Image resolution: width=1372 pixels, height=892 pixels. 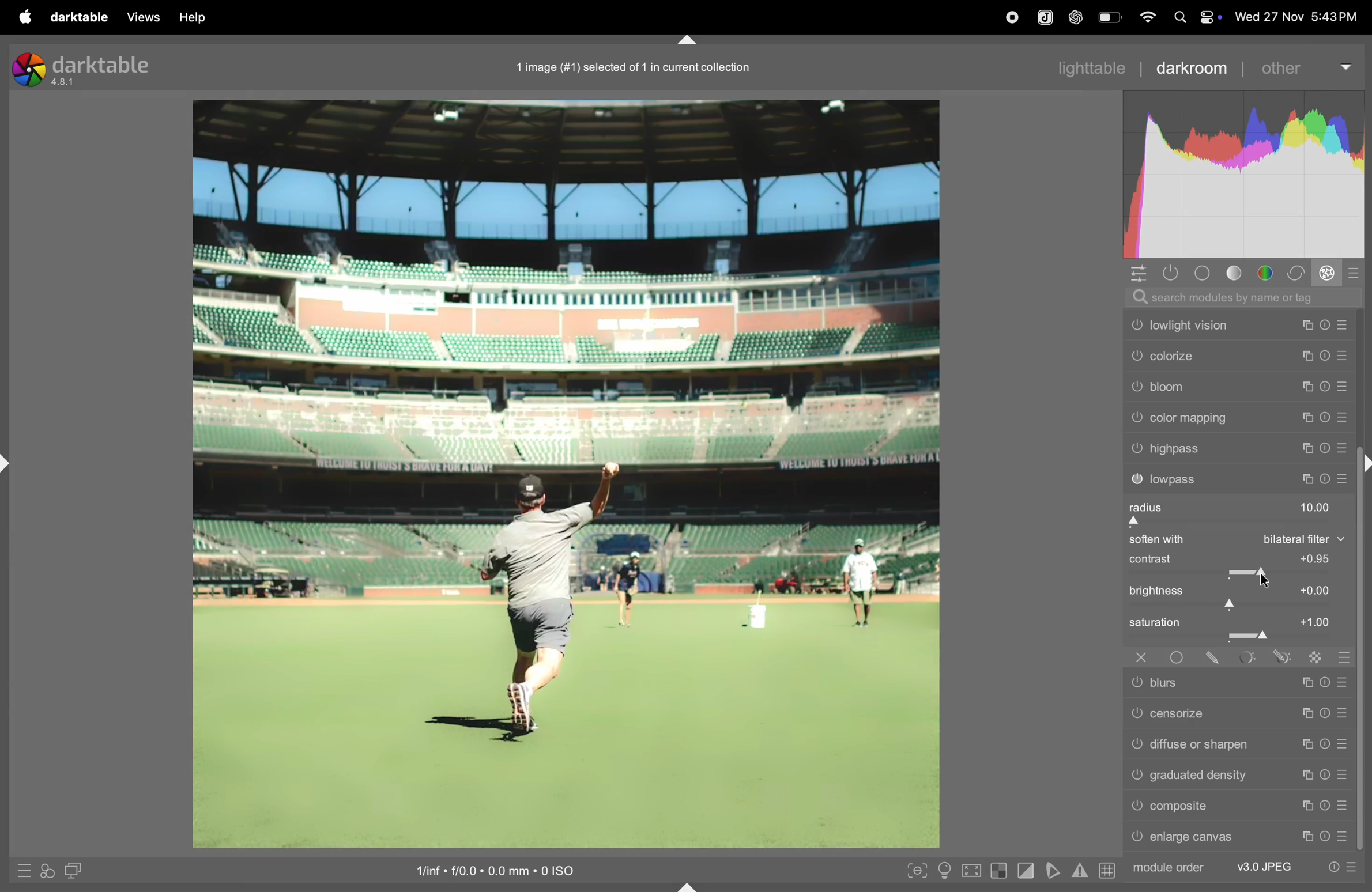 What do you see at coordinates (1232, 512) in the screenshot?
I see `radius` at bounding box center [1232, 512].